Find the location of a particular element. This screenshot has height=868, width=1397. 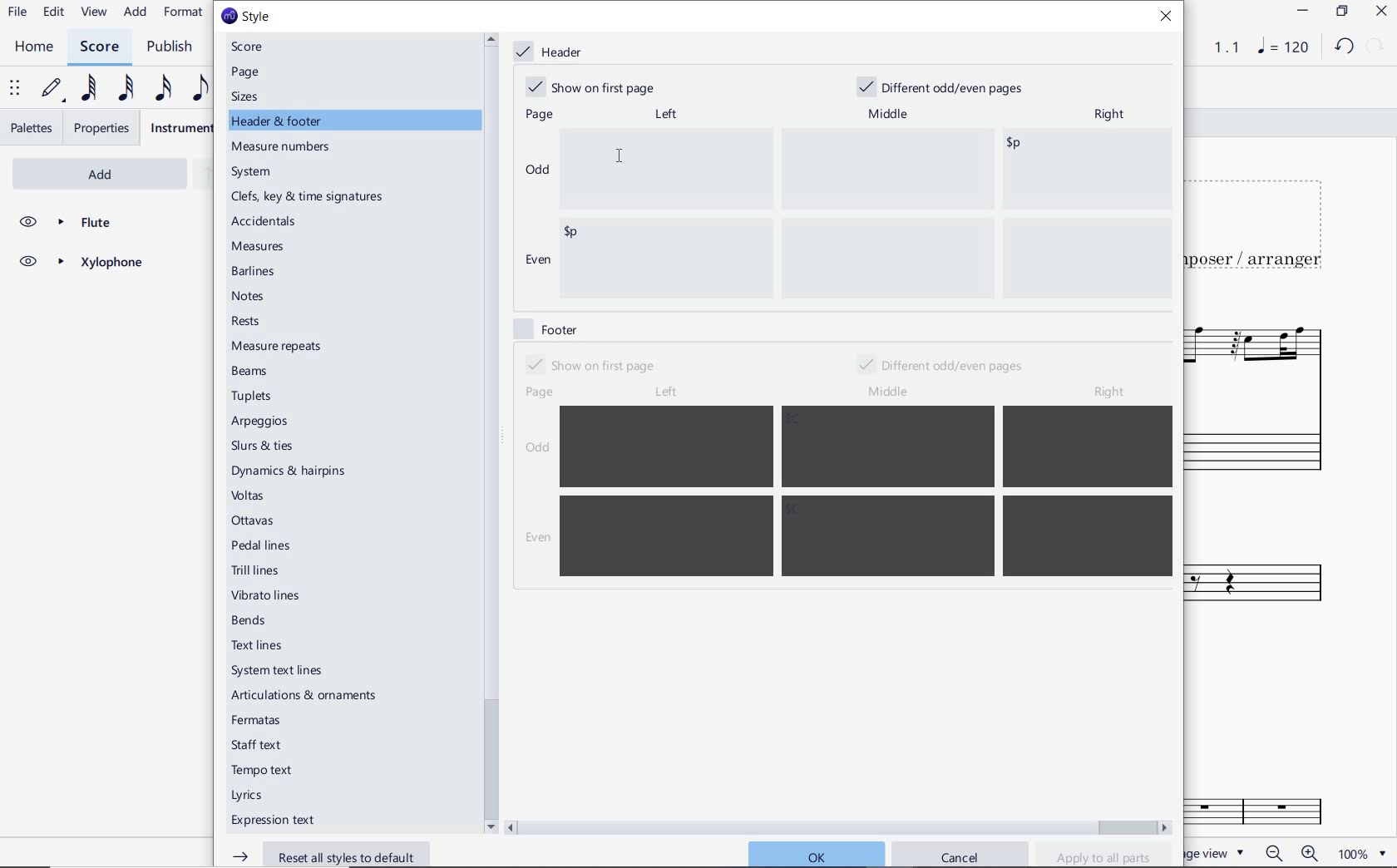

zoom factor is located at coordinates (1360, 853).